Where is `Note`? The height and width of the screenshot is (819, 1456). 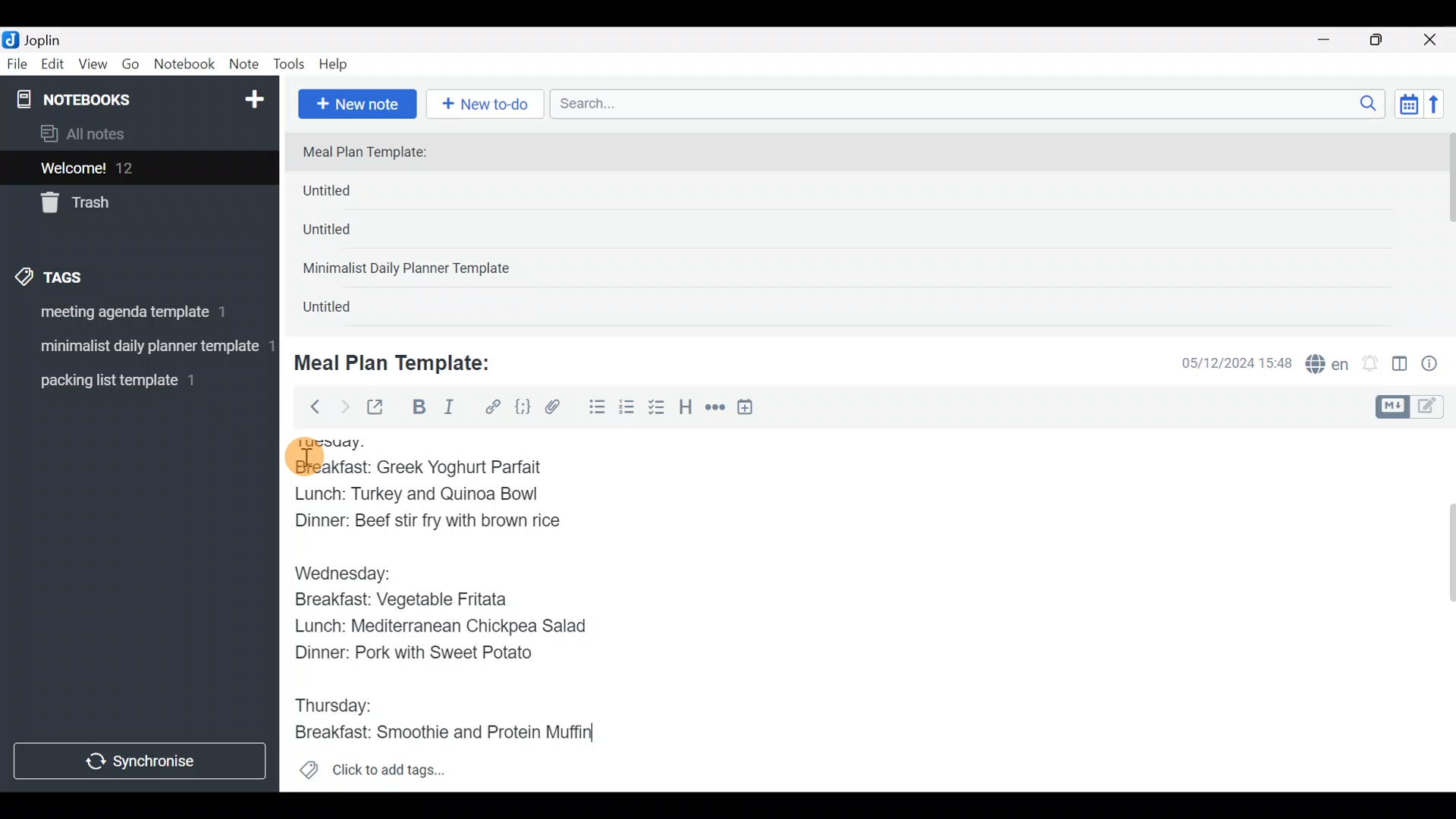
Note is located at coordinates (247, 65).